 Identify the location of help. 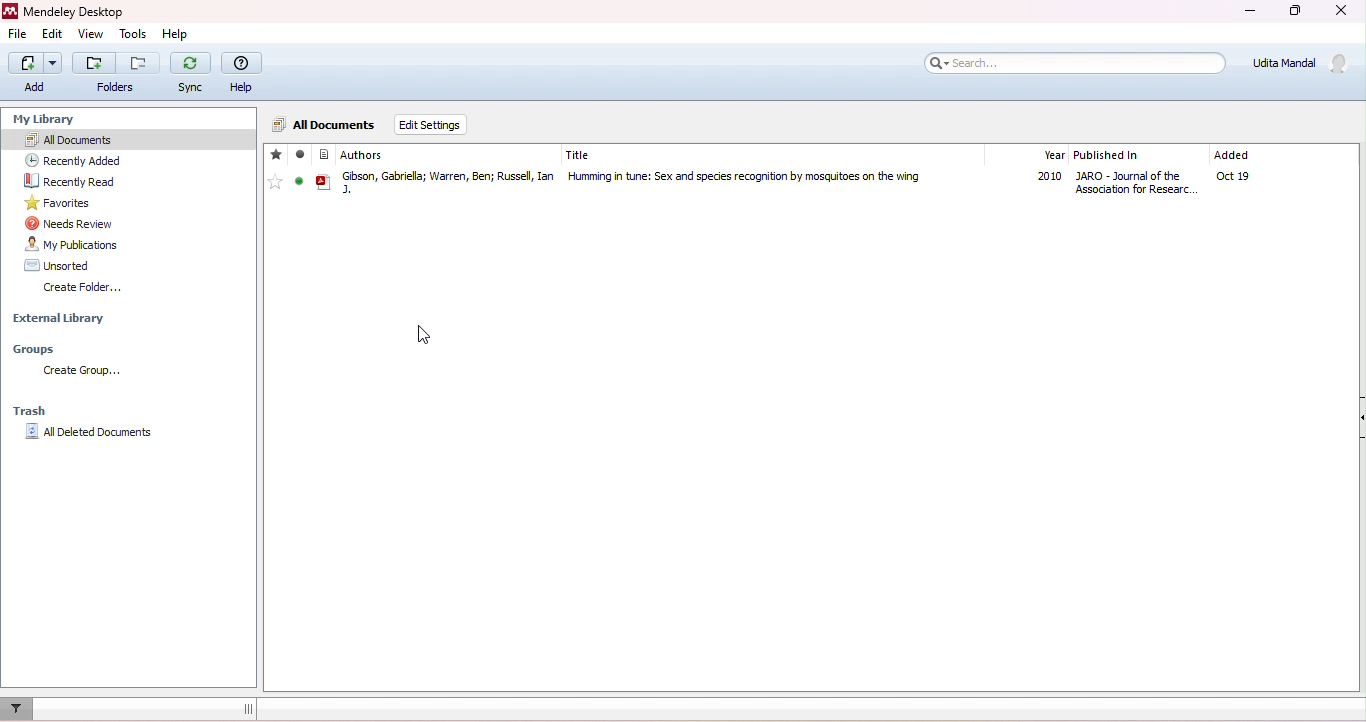
(243, 73).